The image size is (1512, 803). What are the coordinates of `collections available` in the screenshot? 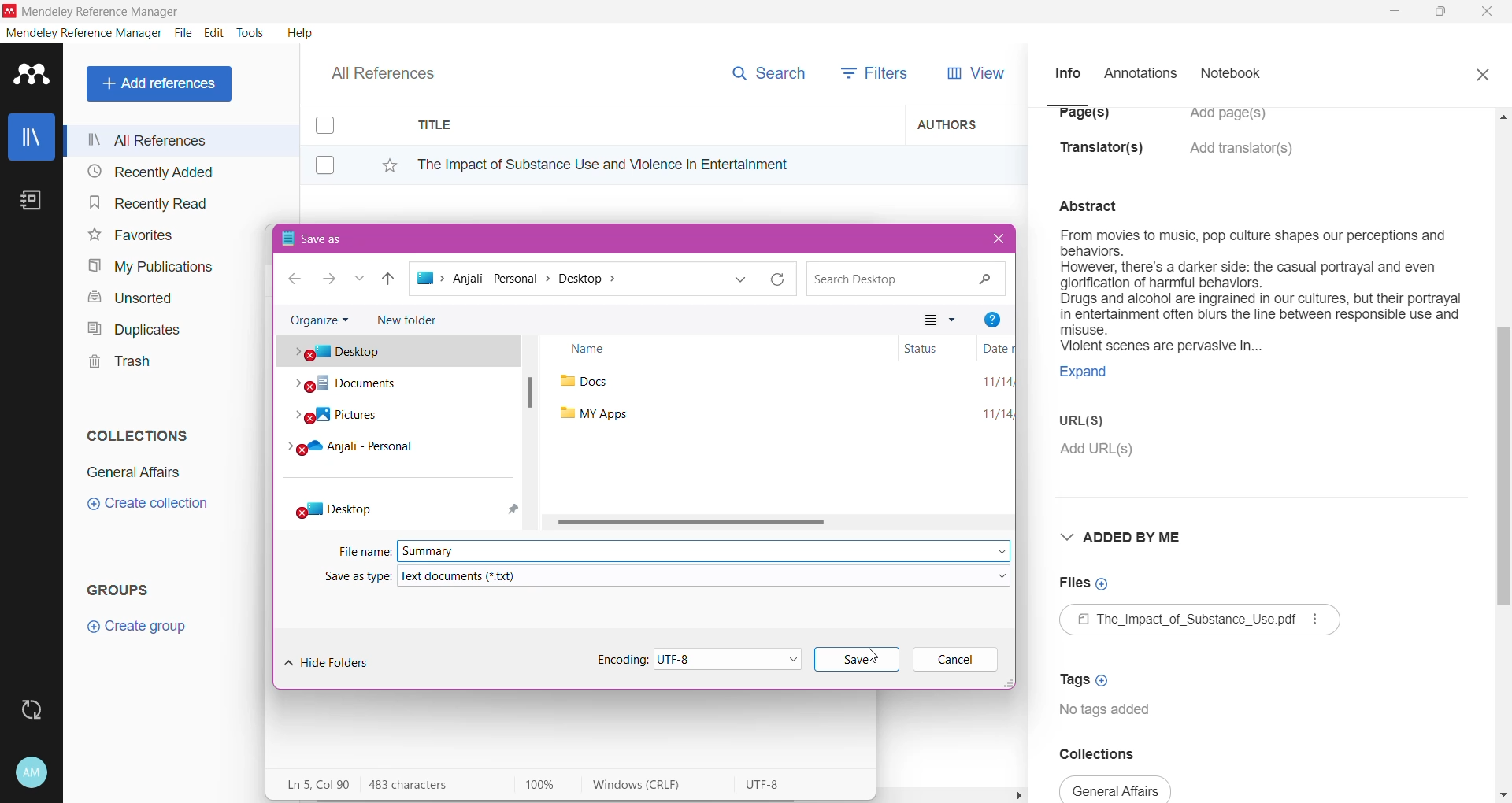 It's located at (1117, 789).